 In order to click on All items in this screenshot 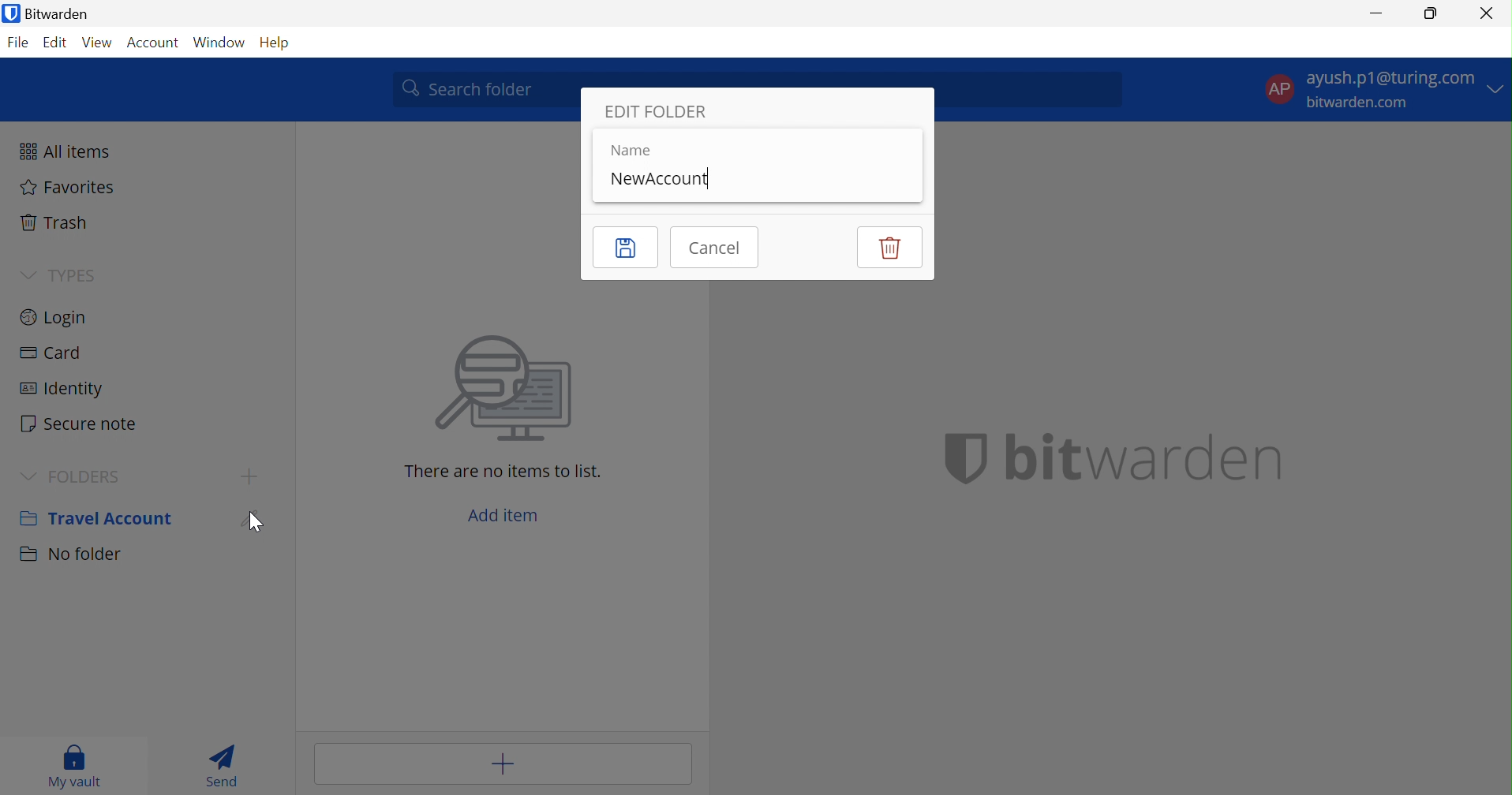, I will do `click(66, 151)`.